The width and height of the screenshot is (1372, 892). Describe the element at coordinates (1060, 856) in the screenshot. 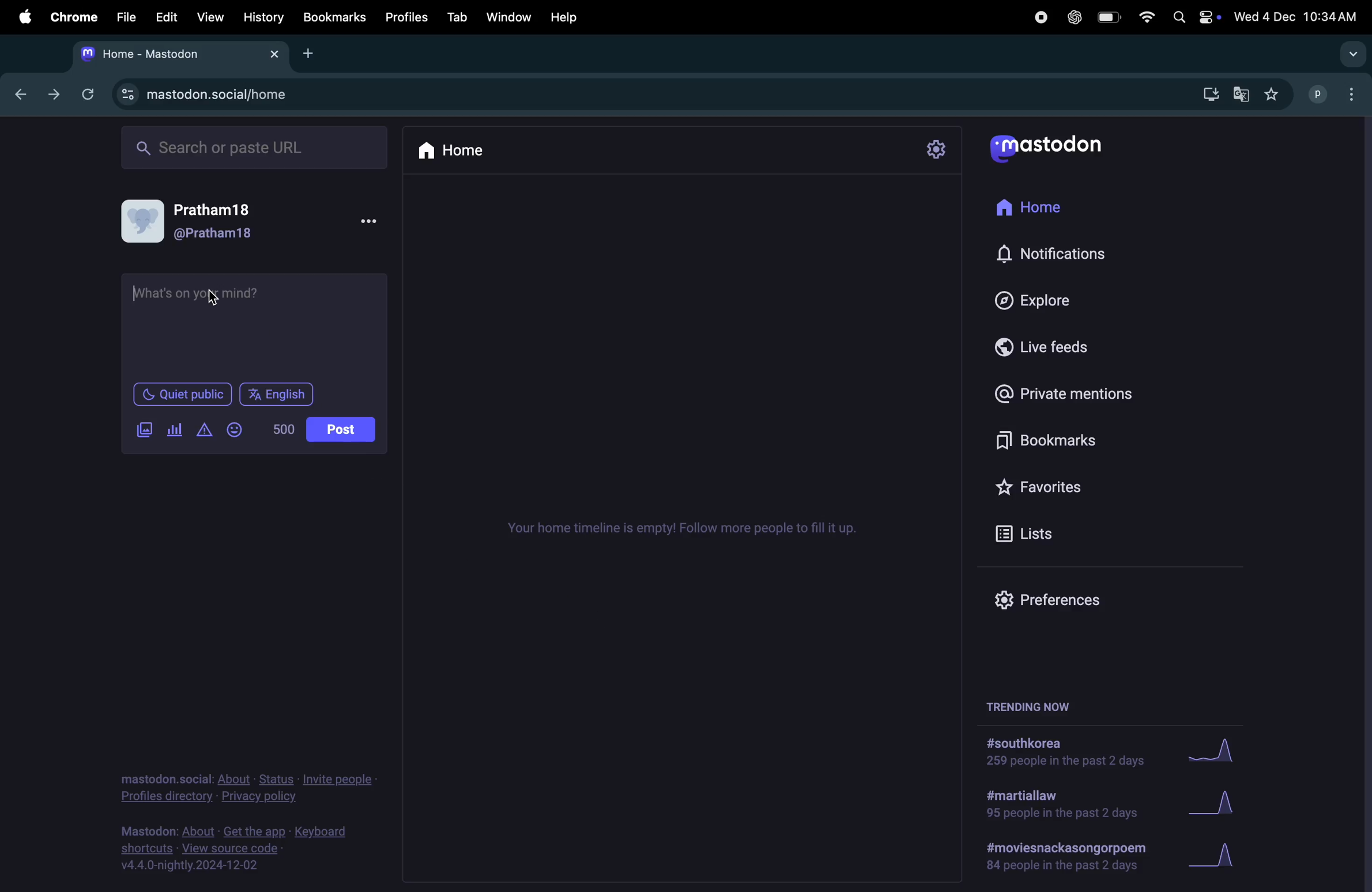

I see `#movieandpoem` at that location.